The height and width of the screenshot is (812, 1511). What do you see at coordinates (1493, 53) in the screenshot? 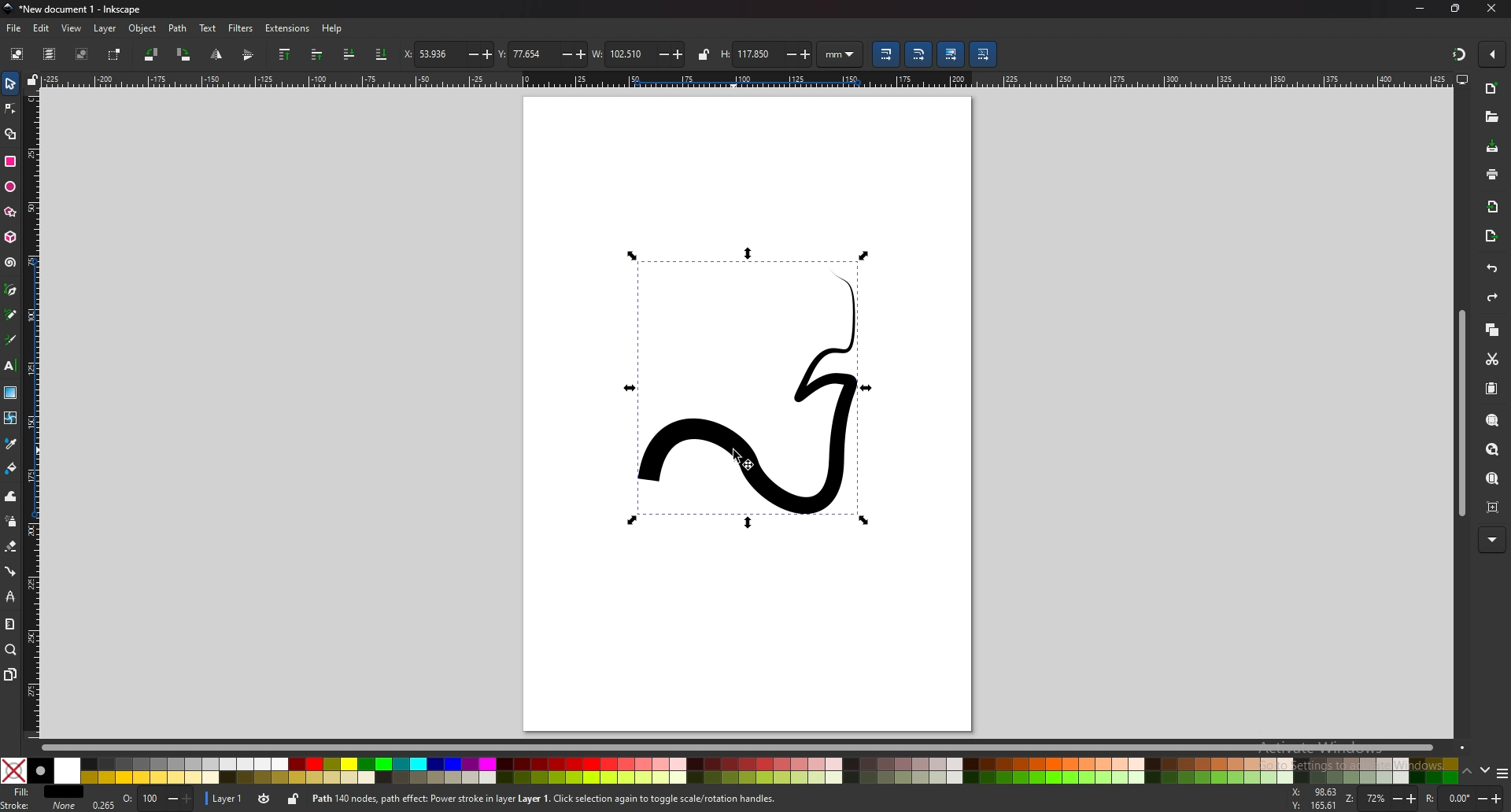
I see `enable snapping` at bounding box center [1493, 53].